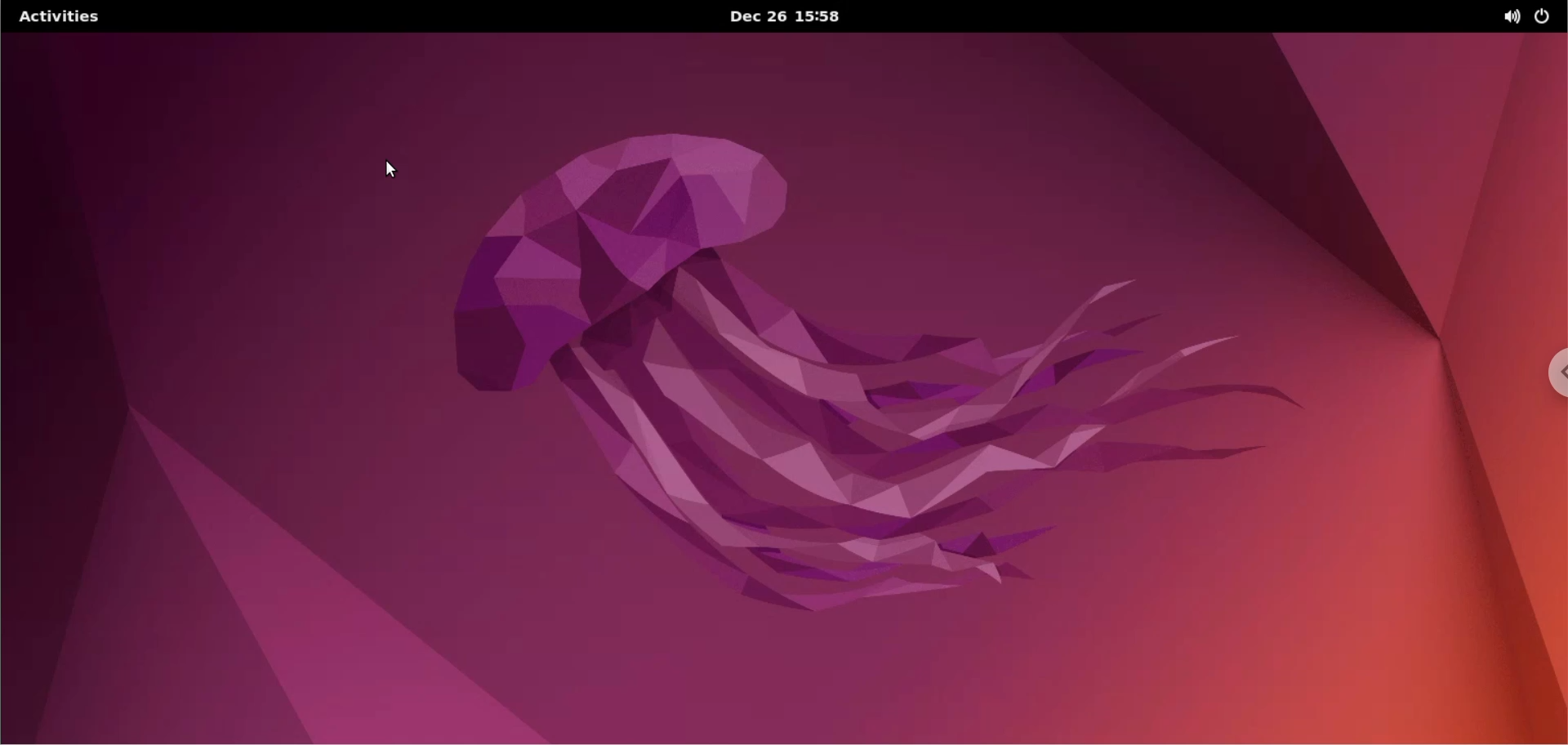 The image size is (1568, 745). I want to click on power options, so click(1550, 16).